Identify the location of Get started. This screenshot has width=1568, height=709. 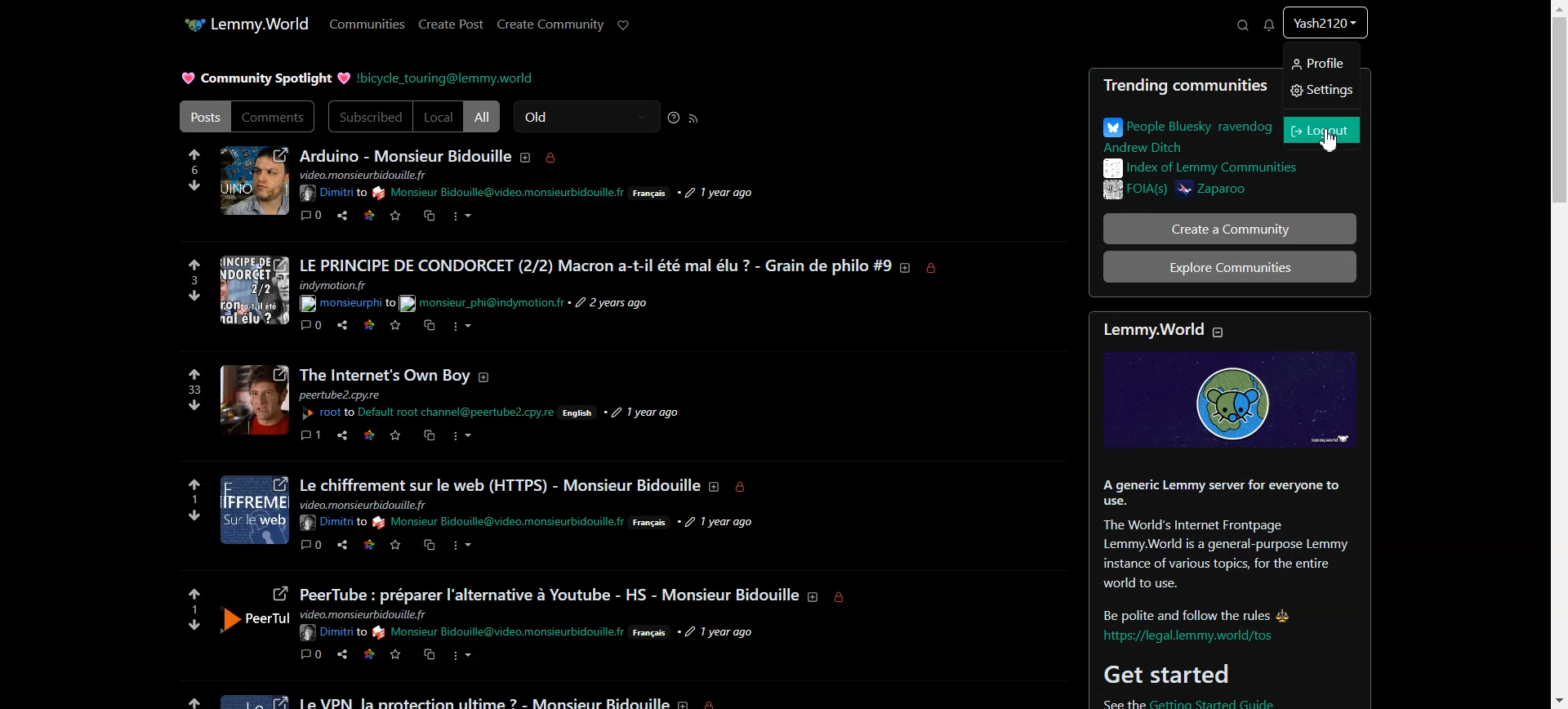
(1173, 674).